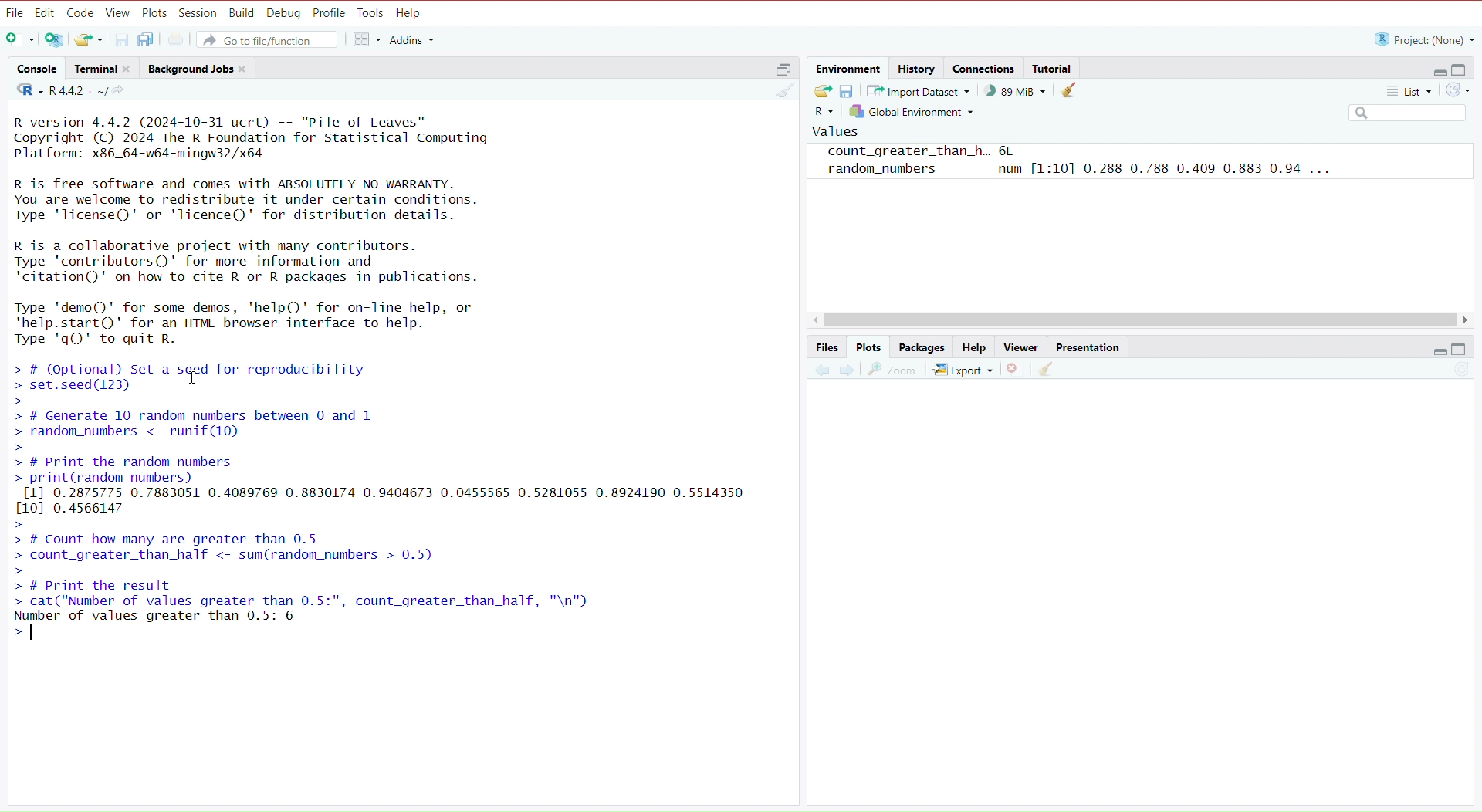 The height and width of the screenshot is (812, 1482). What do you see at coordinates (1015, 370) in the screenshot?
I see `Remove selected` at bounding box center [1015, 370].